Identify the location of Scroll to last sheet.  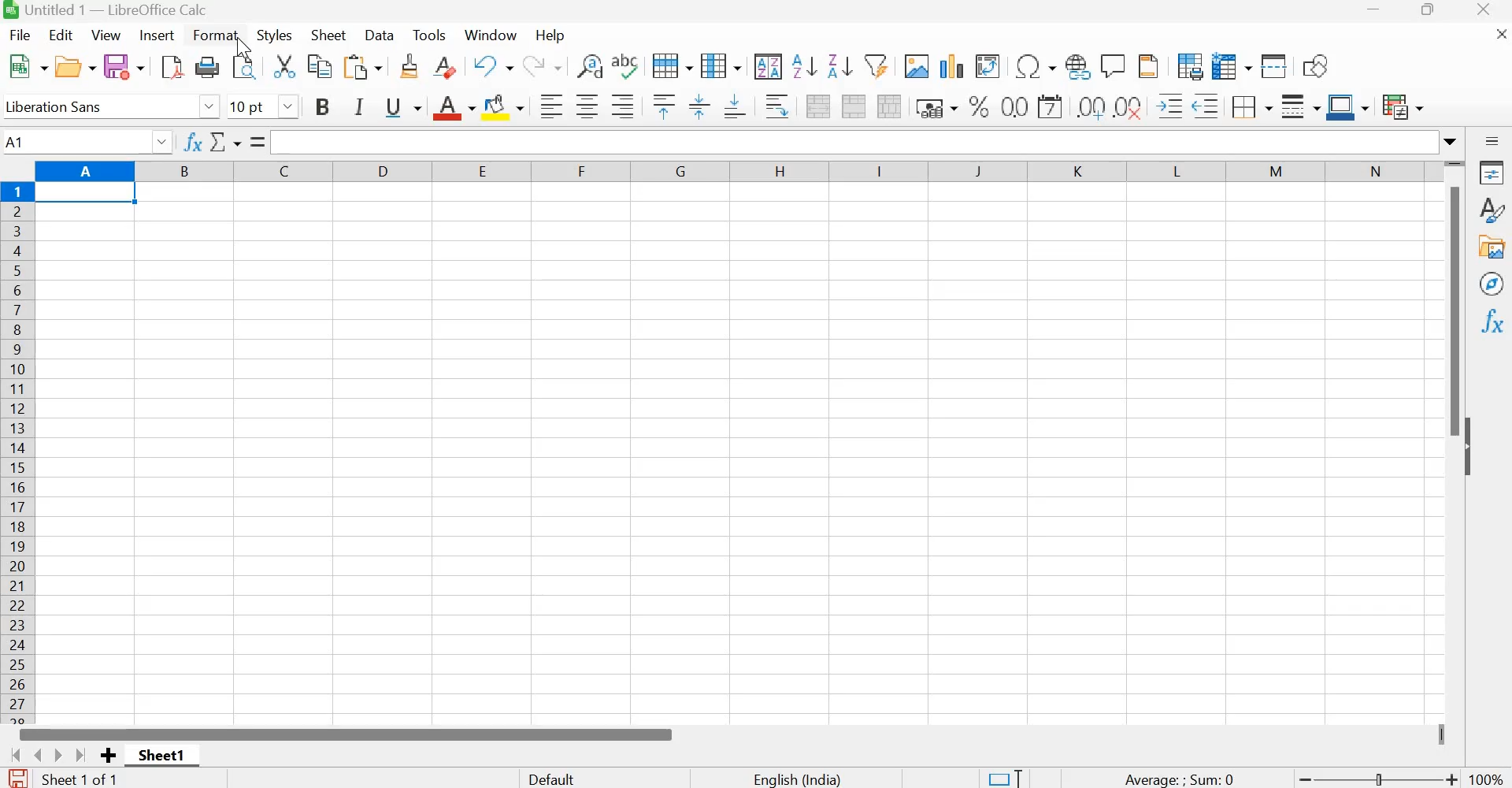
(83, 755).